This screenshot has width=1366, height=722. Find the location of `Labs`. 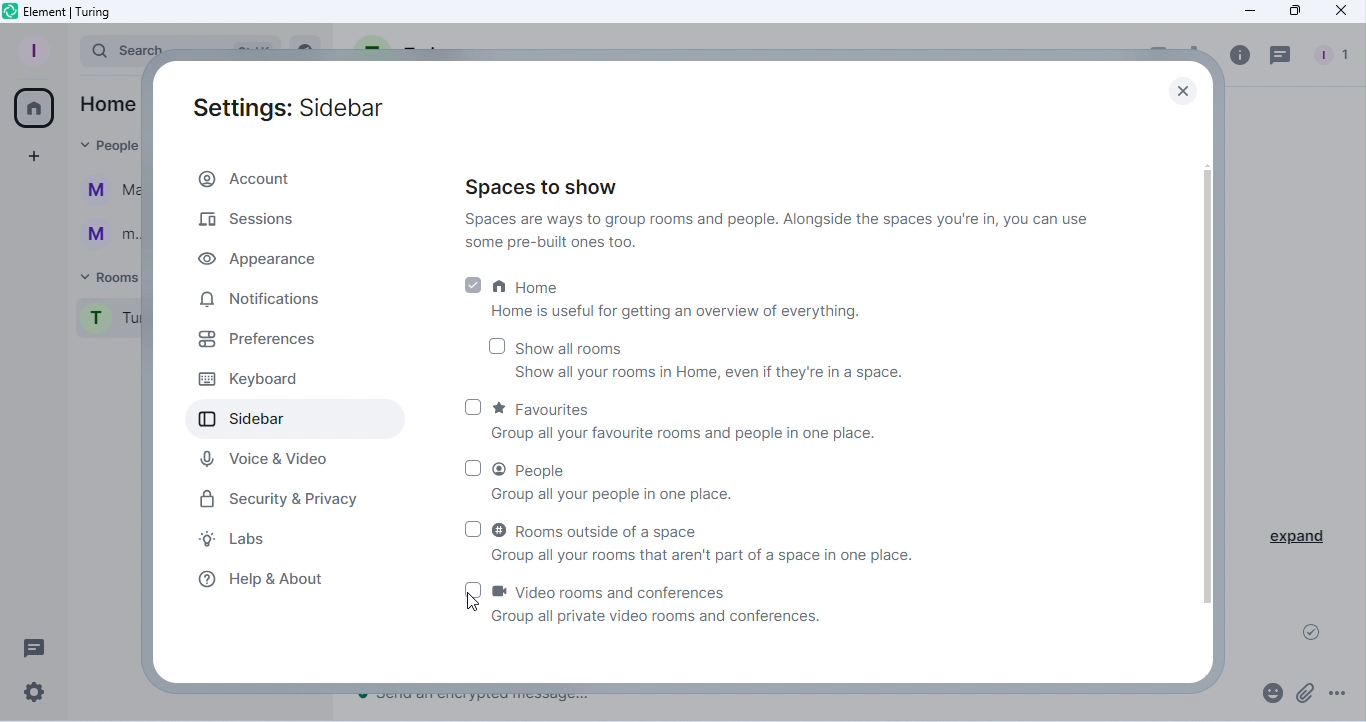

Labs is located at coordinates (239, 538).